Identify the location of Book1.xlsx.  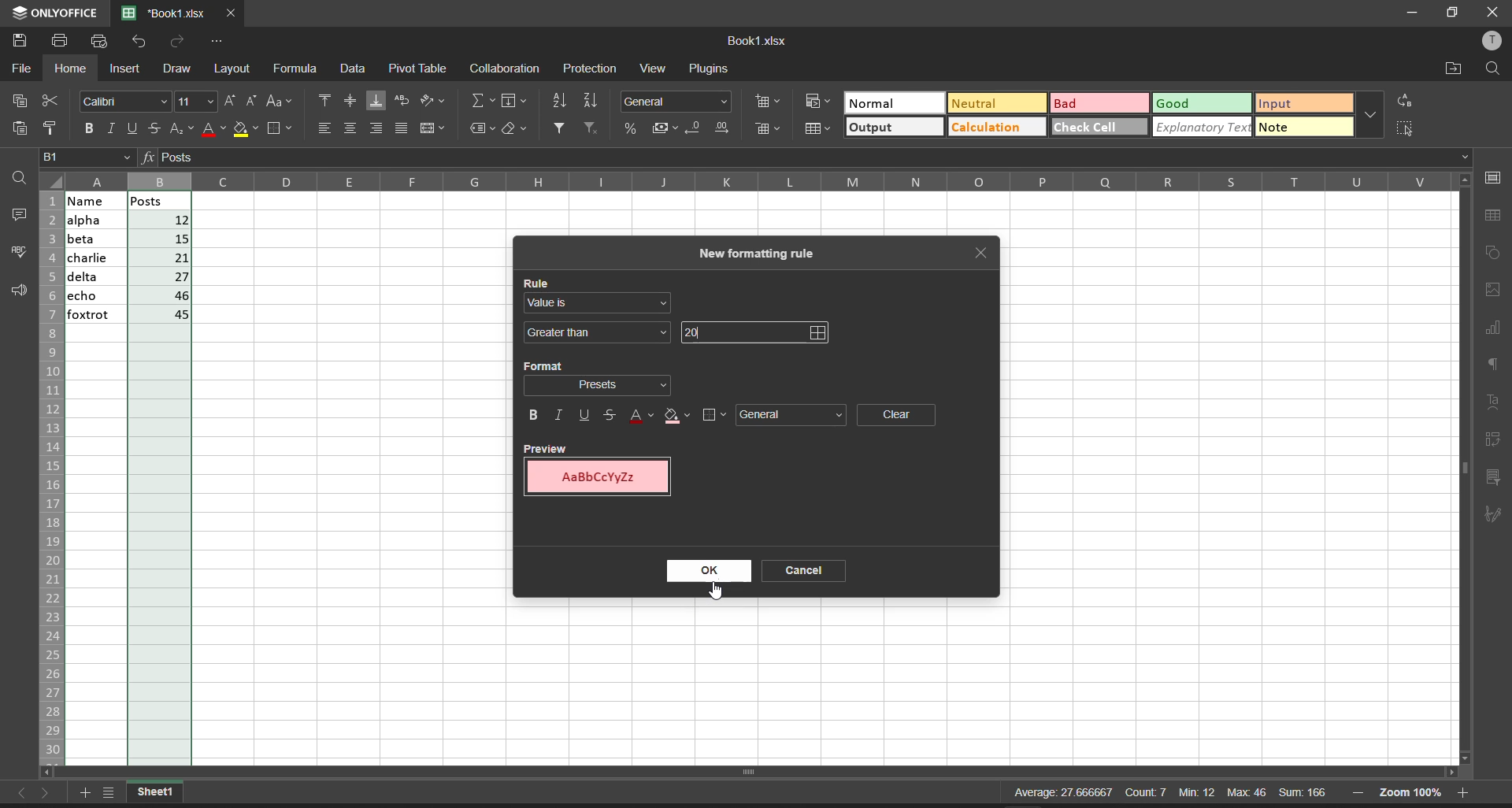
(755, 40).